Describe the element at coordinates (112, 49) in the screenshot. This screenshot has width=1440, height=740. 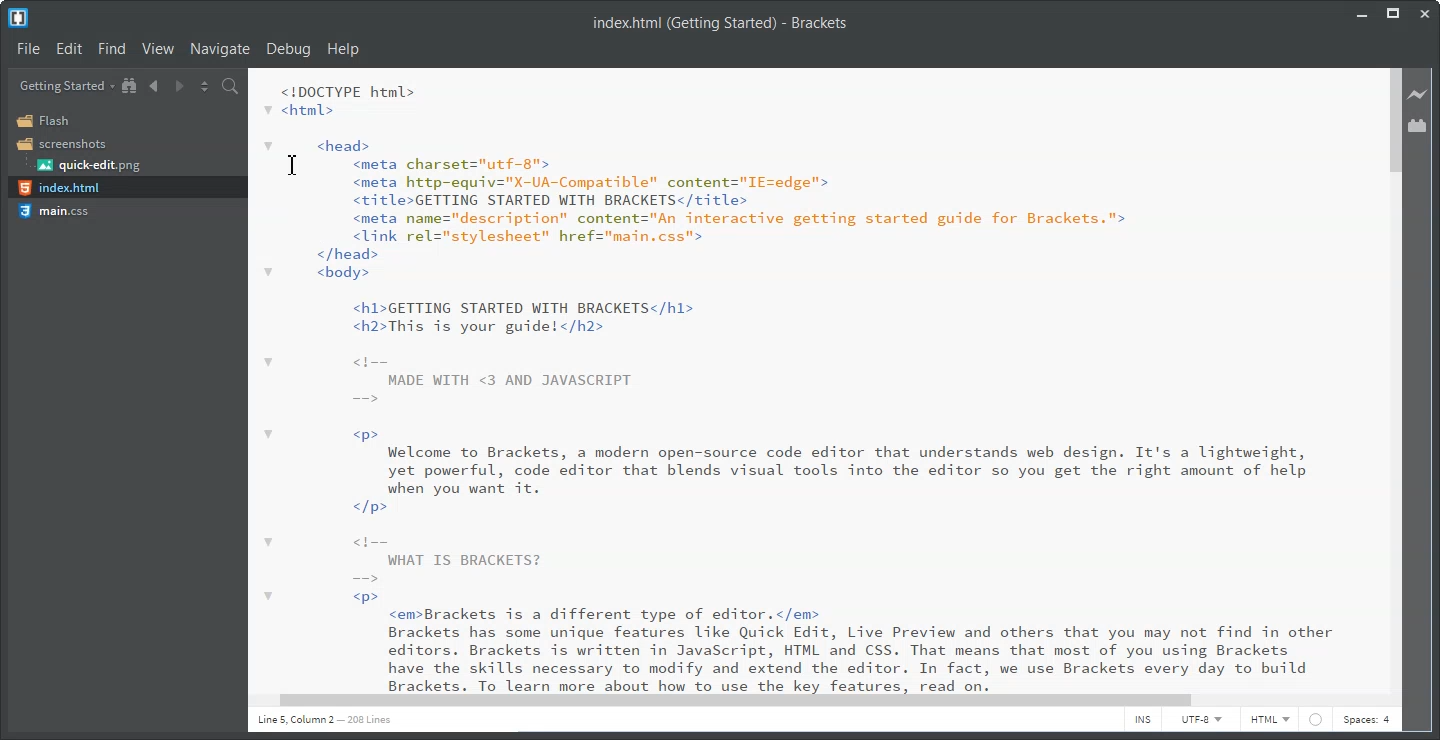
I see `Find` at that location.